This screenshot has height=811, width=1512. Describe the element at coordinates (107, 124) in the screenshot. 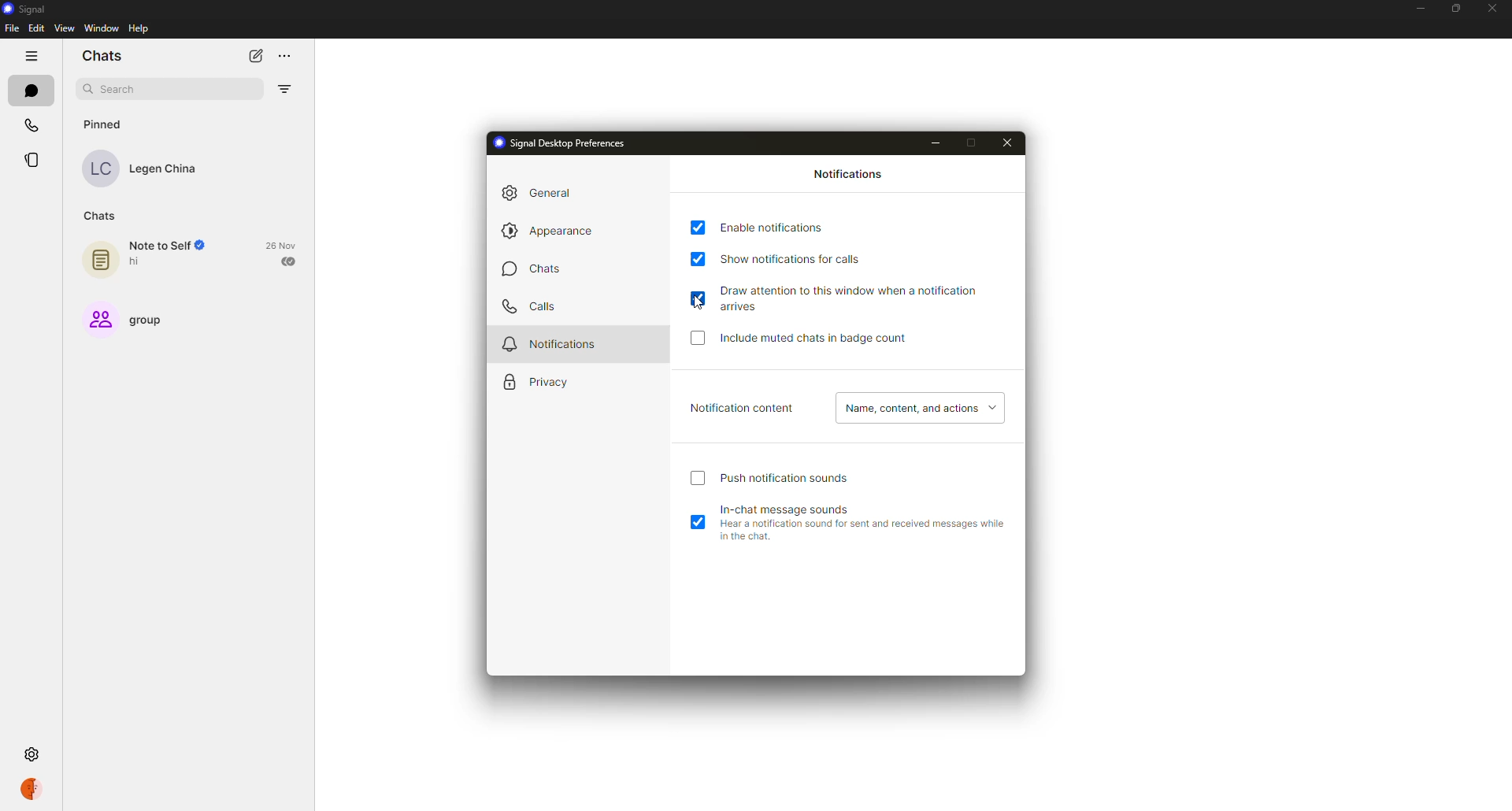

I see `pinned` at that location.